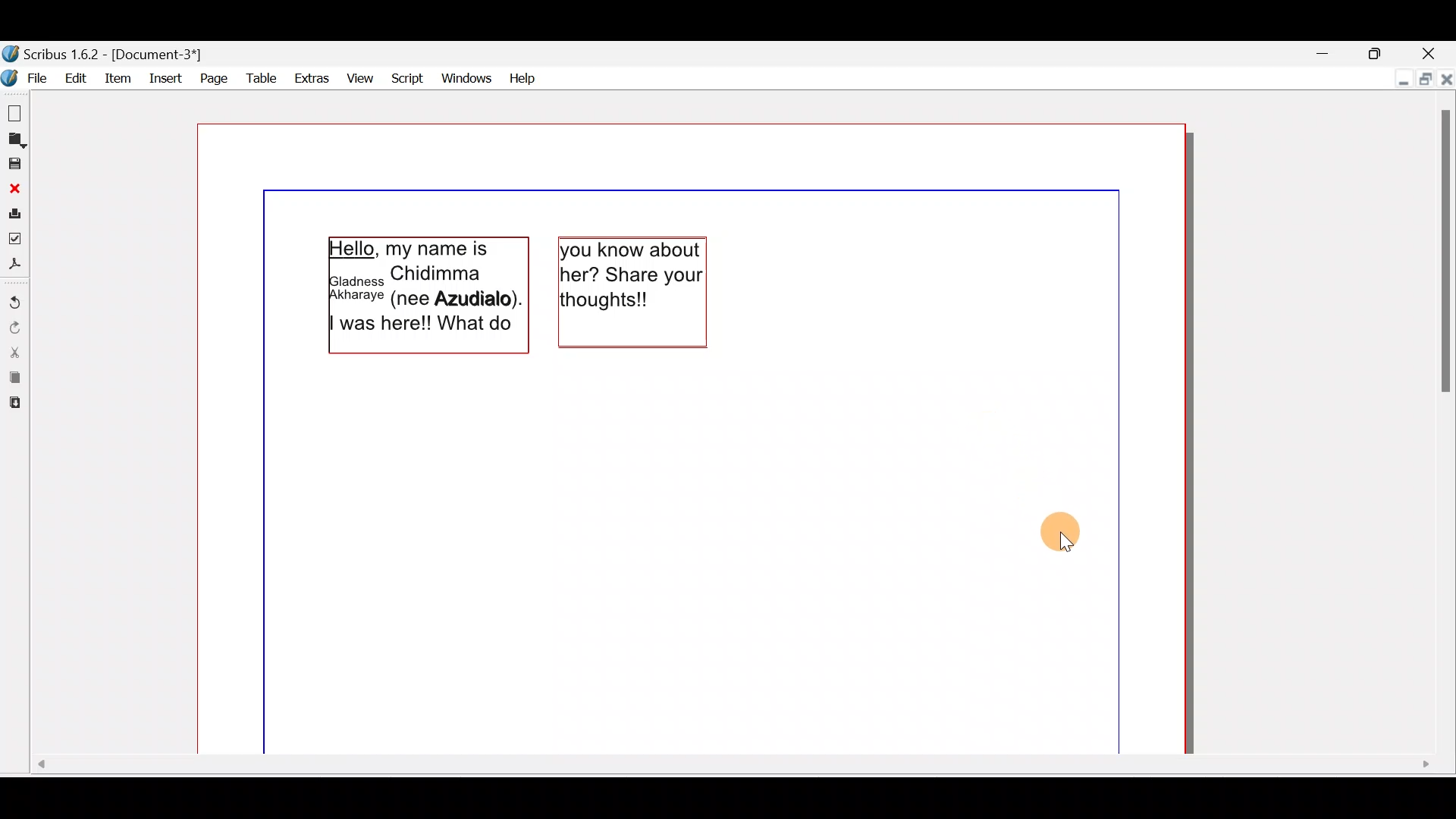  Describe the element at coordinates (309, 77) in the screenshot. I see `Extras` at that location.